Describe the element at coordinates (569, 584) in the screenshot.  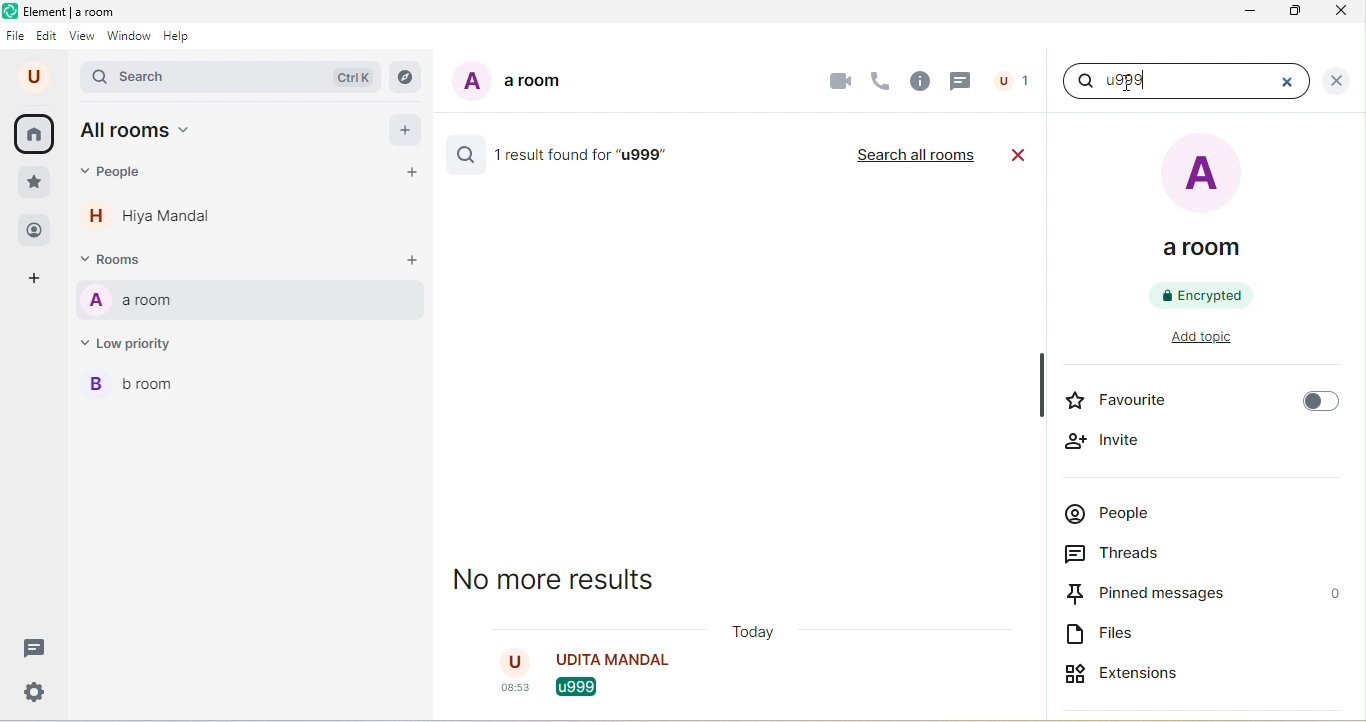
I see `no more result` at that location.